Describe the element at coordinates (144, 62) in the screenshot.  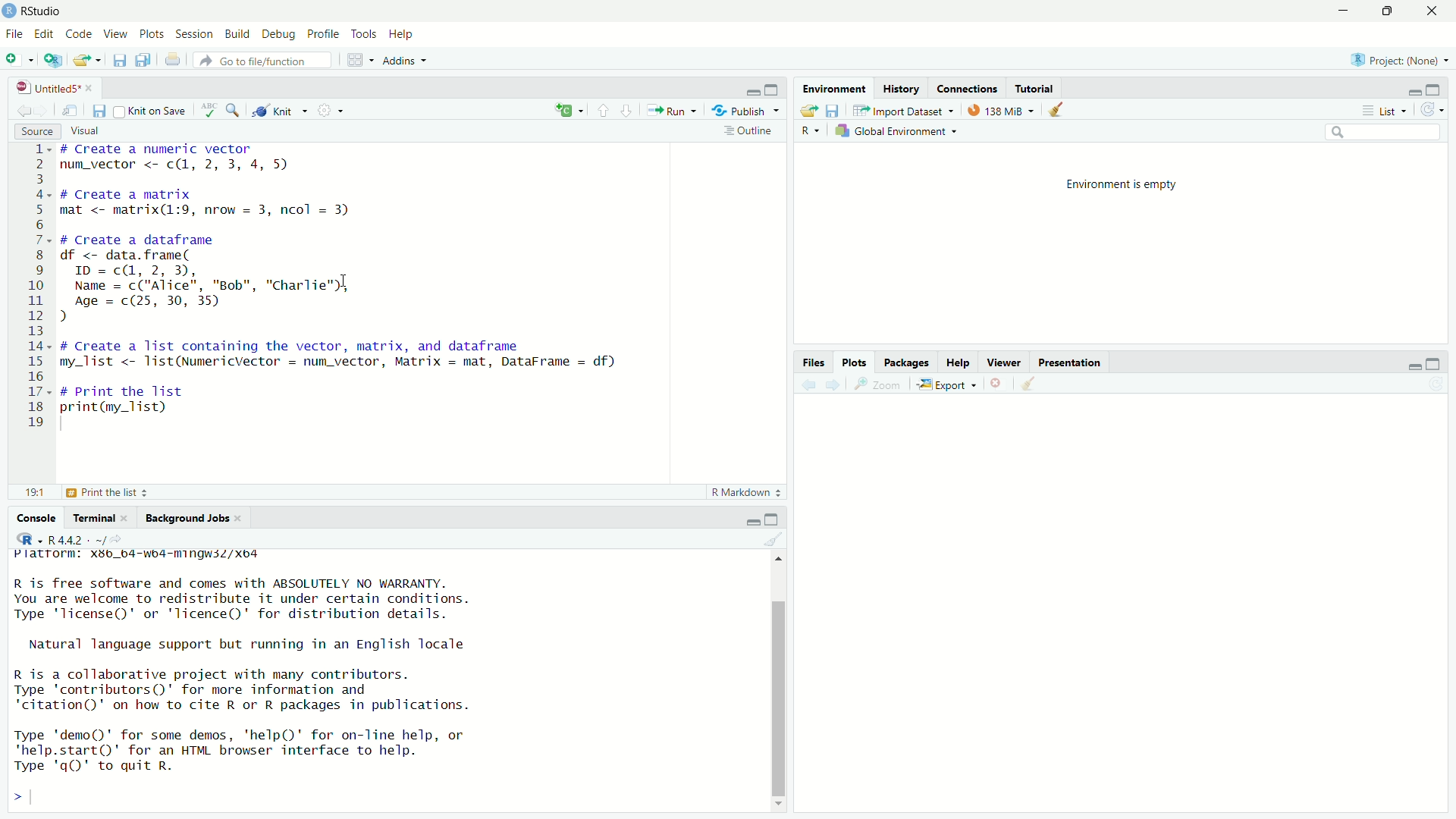
I see `copy` at that location.